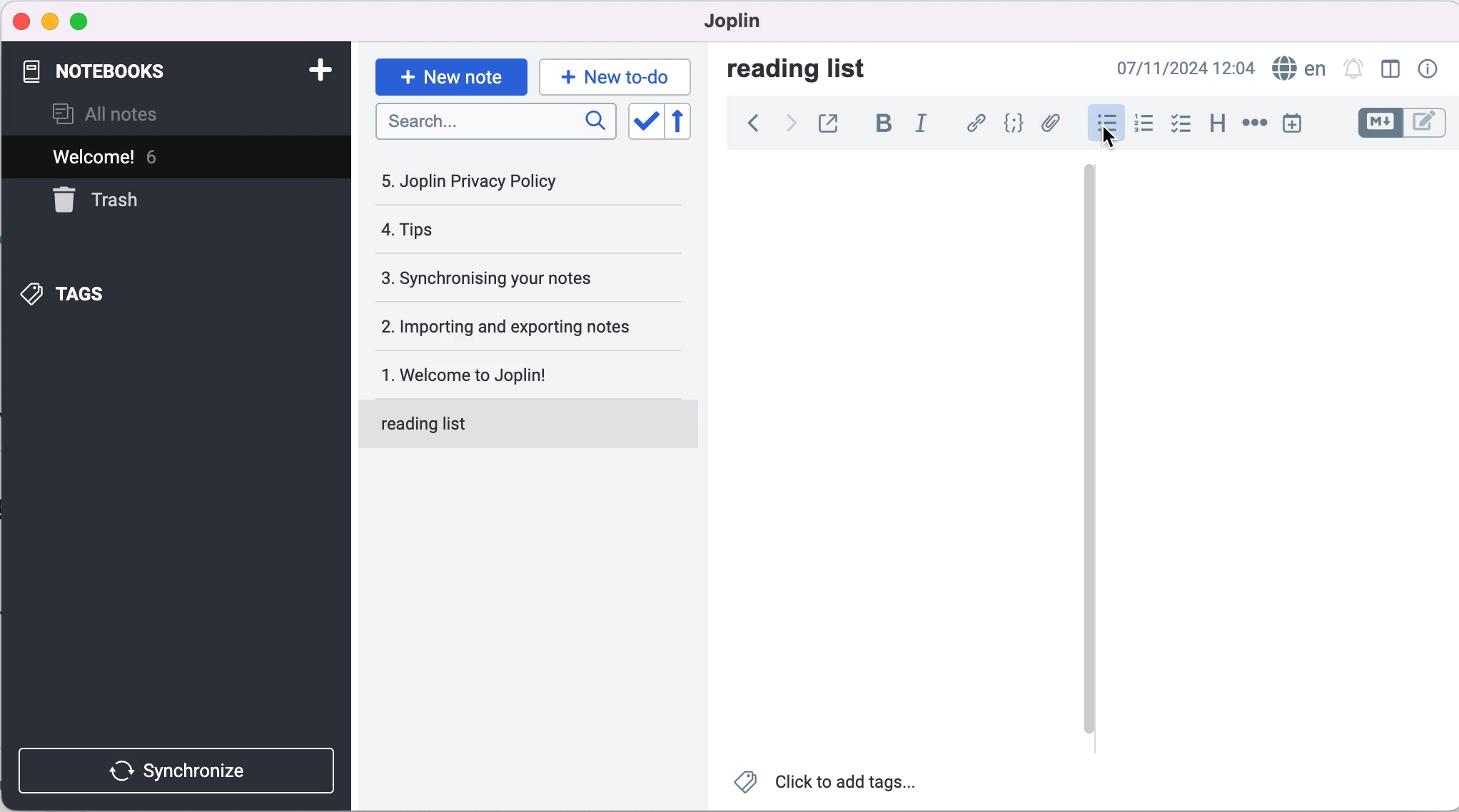 Image resolution: width=1459 pixels, height=812 pixels. Describe the element at coordinates (1432, 68) in the screenshot. I see `note properties` at that location.